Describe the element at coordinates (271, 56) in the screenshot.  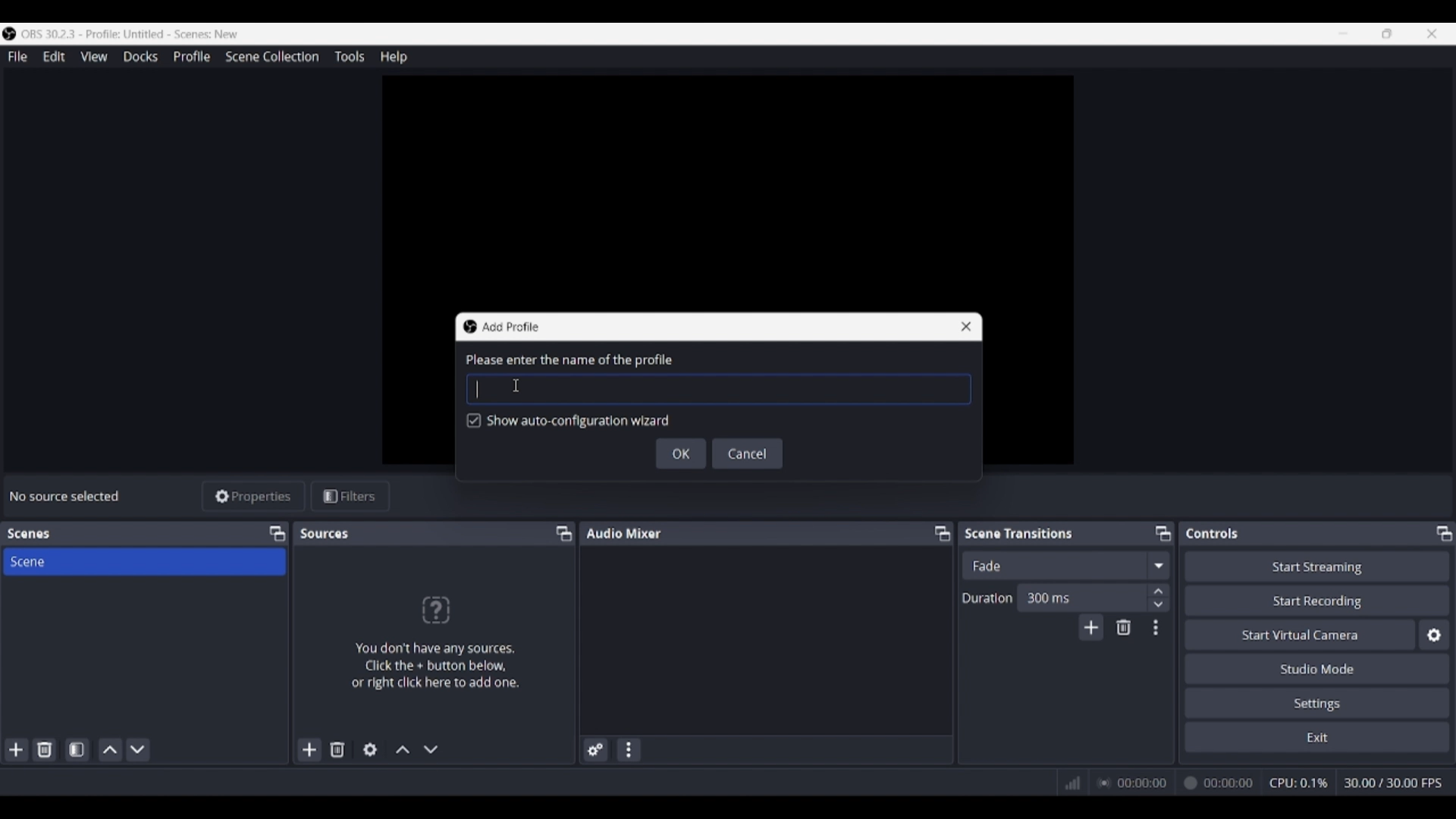
I see `Scene collection menu` at that location.